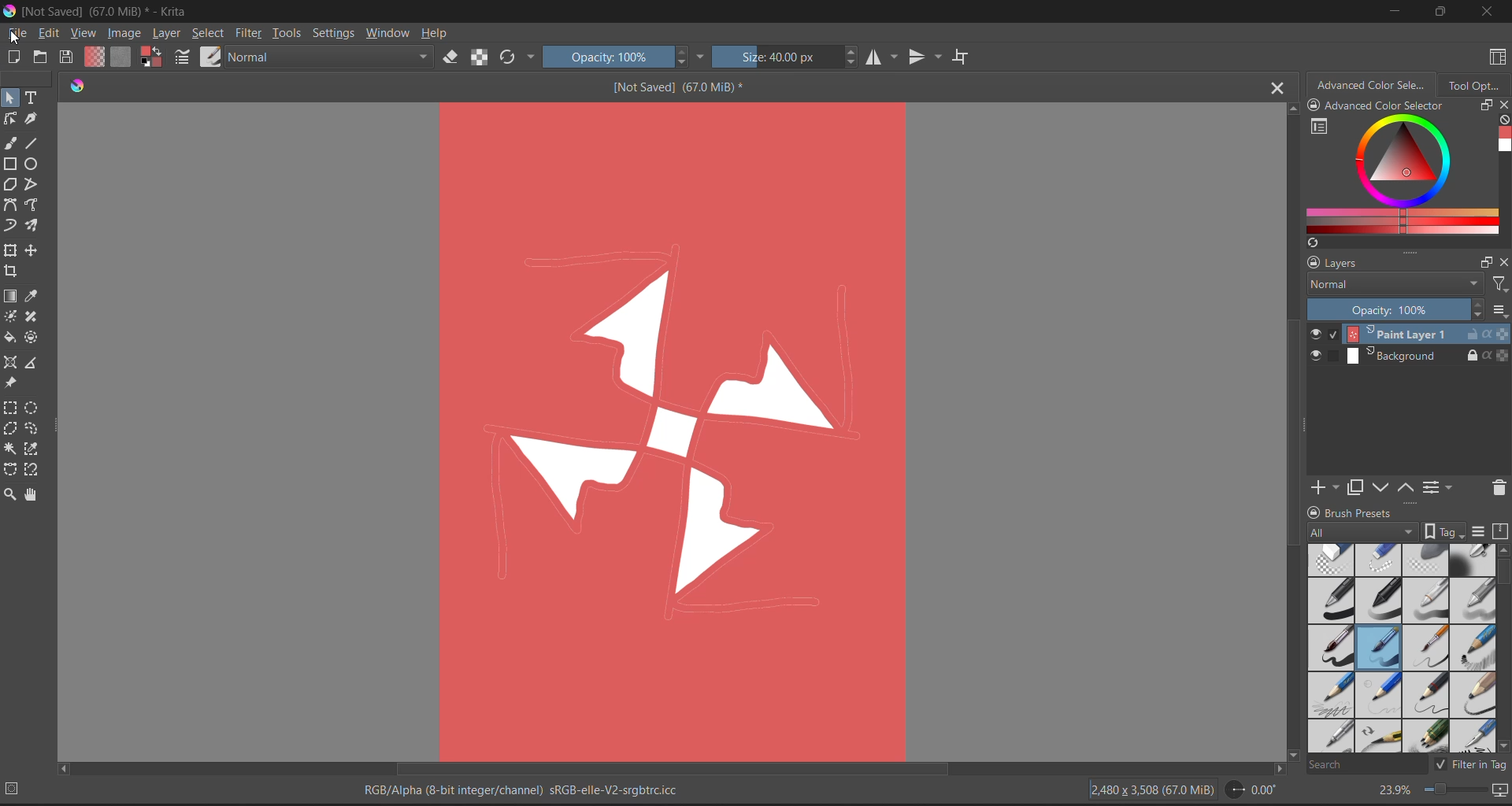 This screenshot has height=806, width=1512. I want to click on close, so click(1503, 105).